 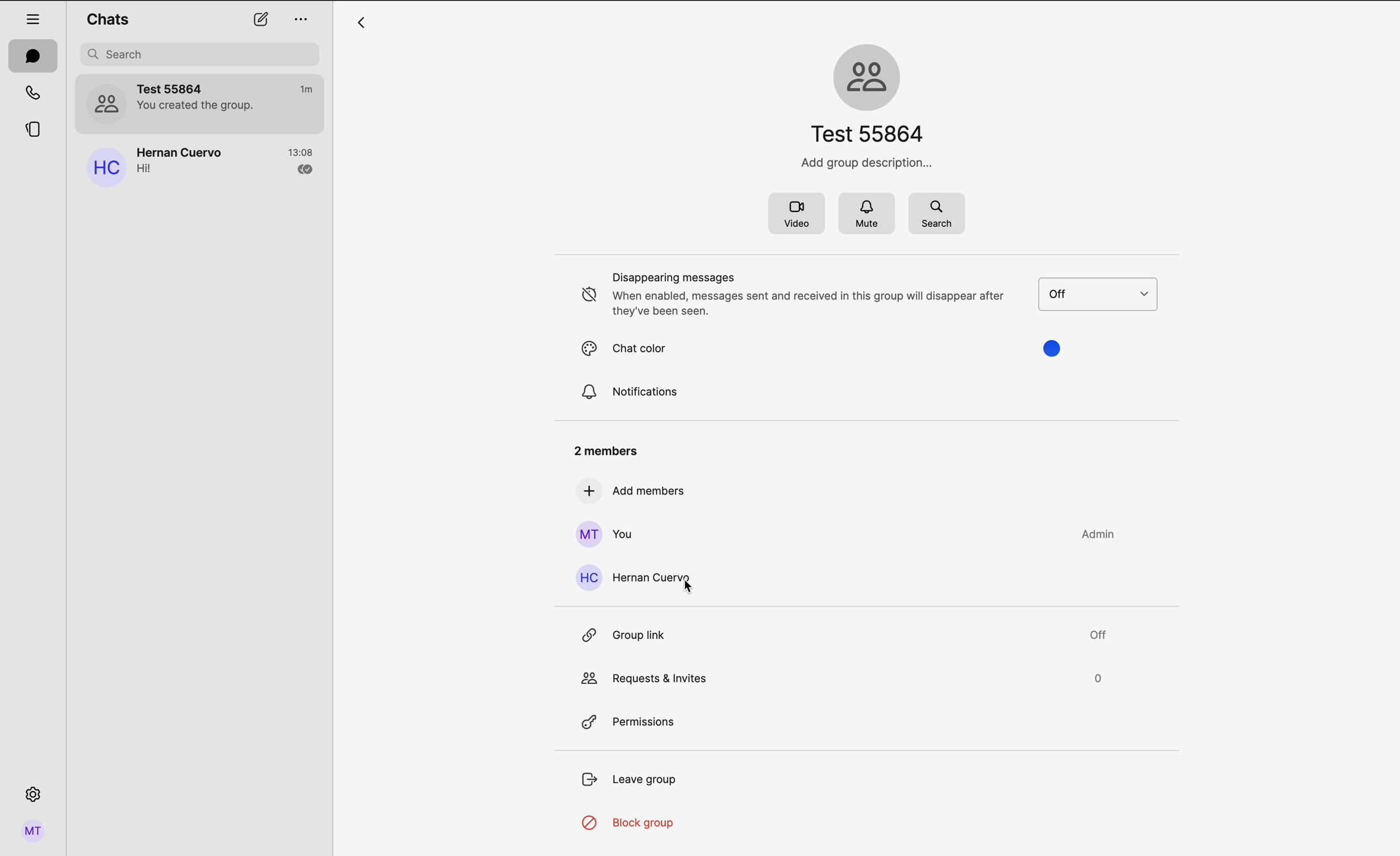 What do you see at coordinates (202, 54) in the screenshot?
I see `search bar` at bounding box center [202, 54].